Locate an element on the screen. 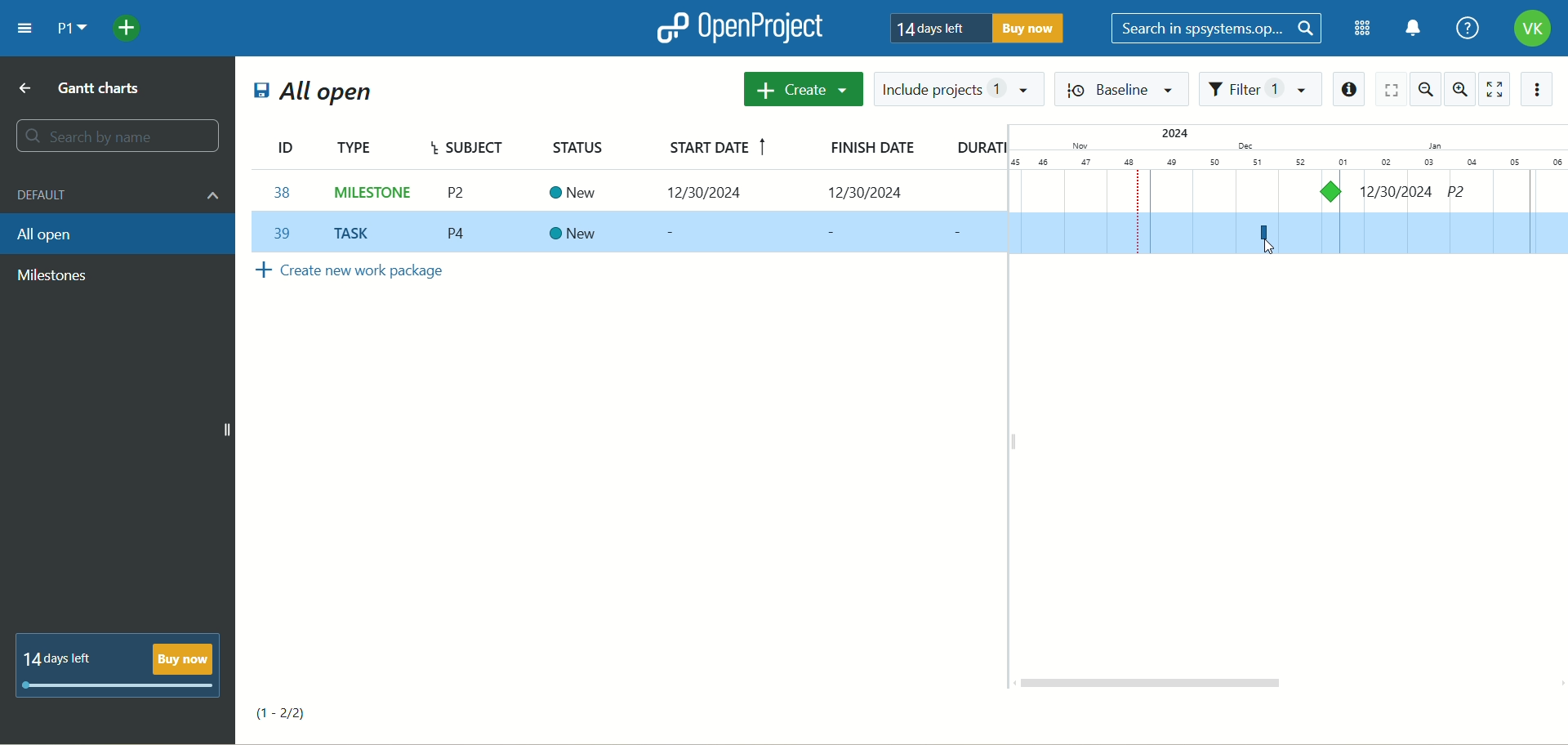 Image resolution: width=1568 pixels, height=745 pixels. 14 days left buy now  is located at coordinates (114, 668).